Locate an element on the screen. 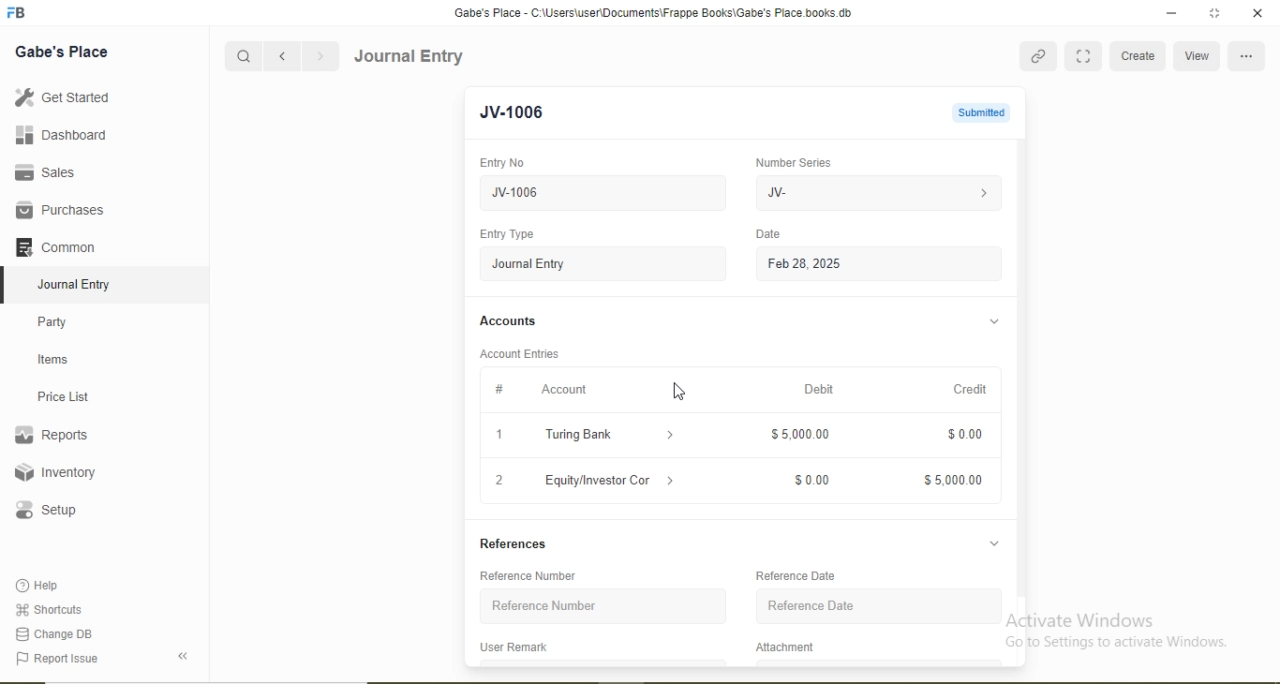  Report Issue is located at coordinates (56, 659).